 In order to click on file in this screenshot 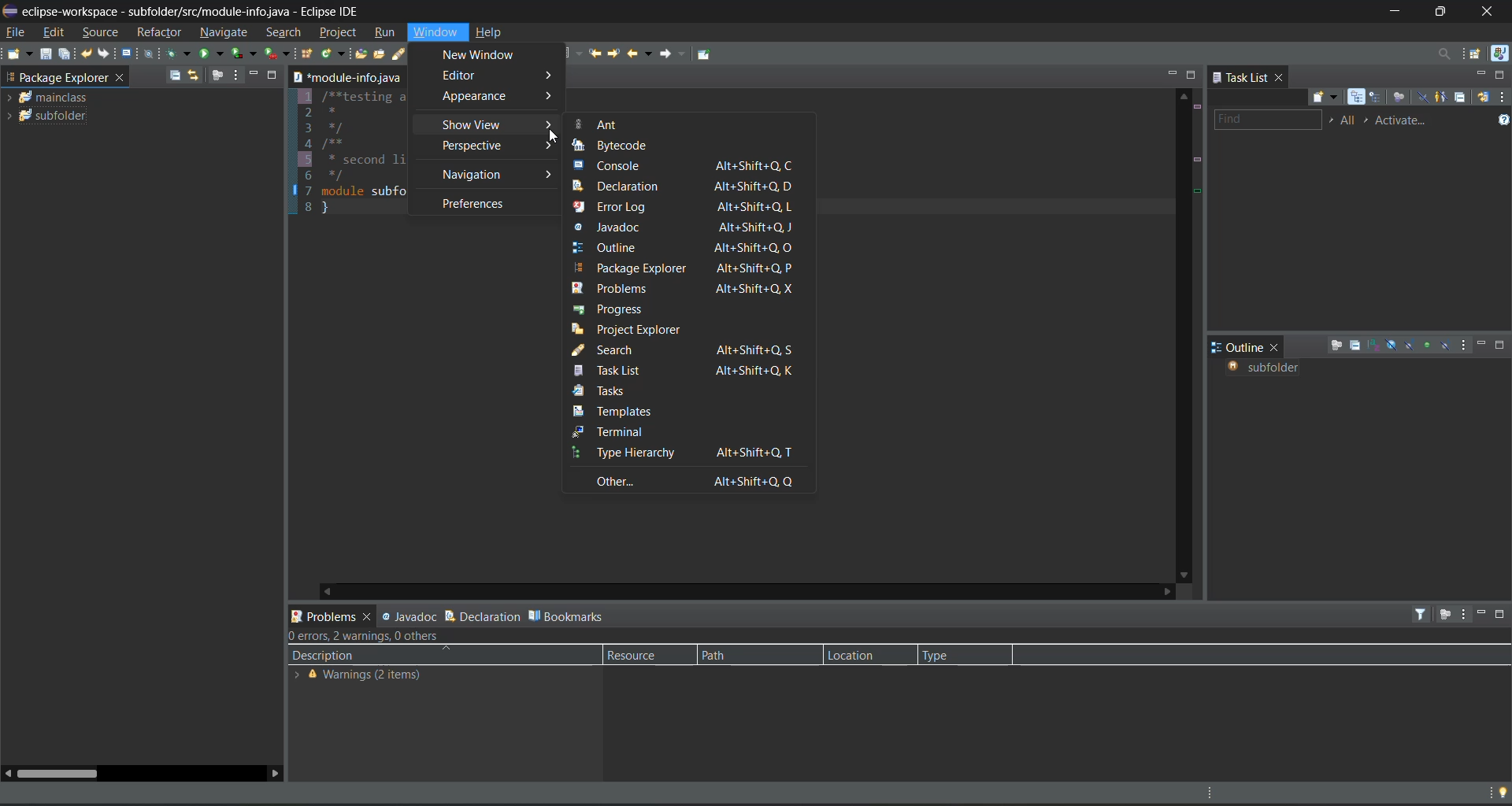, I will do `click(17, 31)`.